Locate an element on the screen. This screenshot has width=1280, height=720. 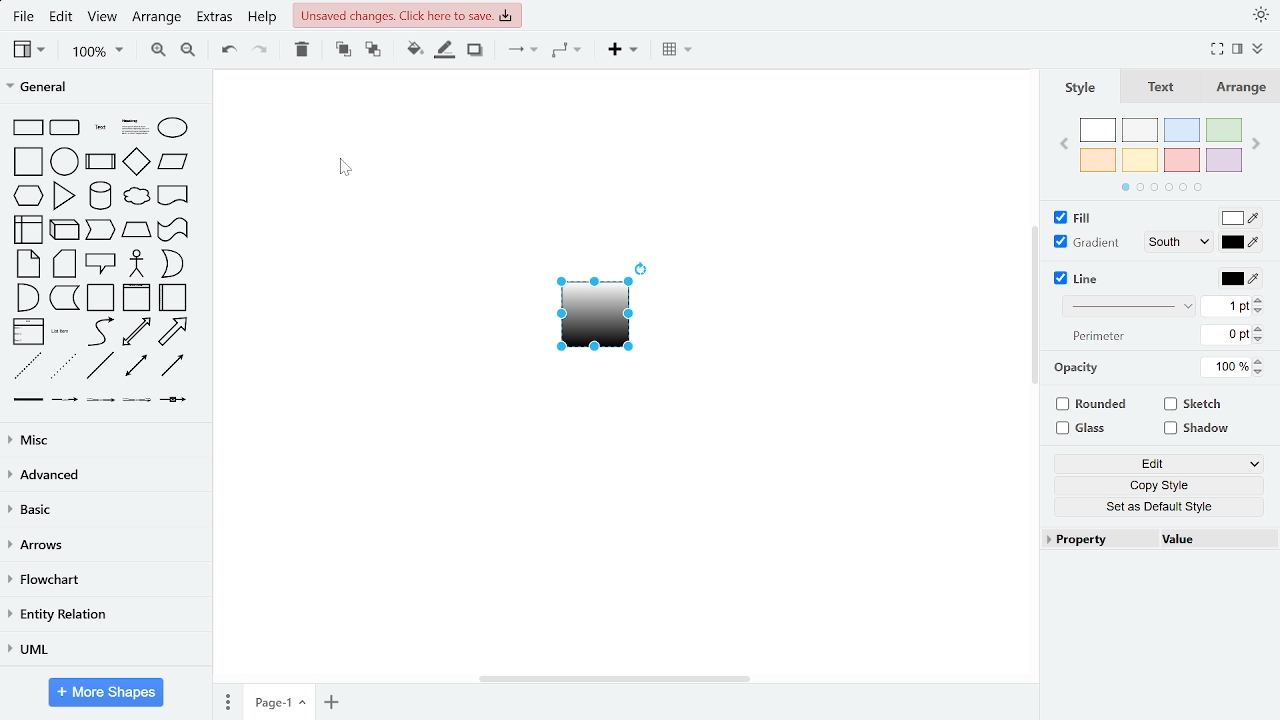
 is located at coordinates (174, 400).